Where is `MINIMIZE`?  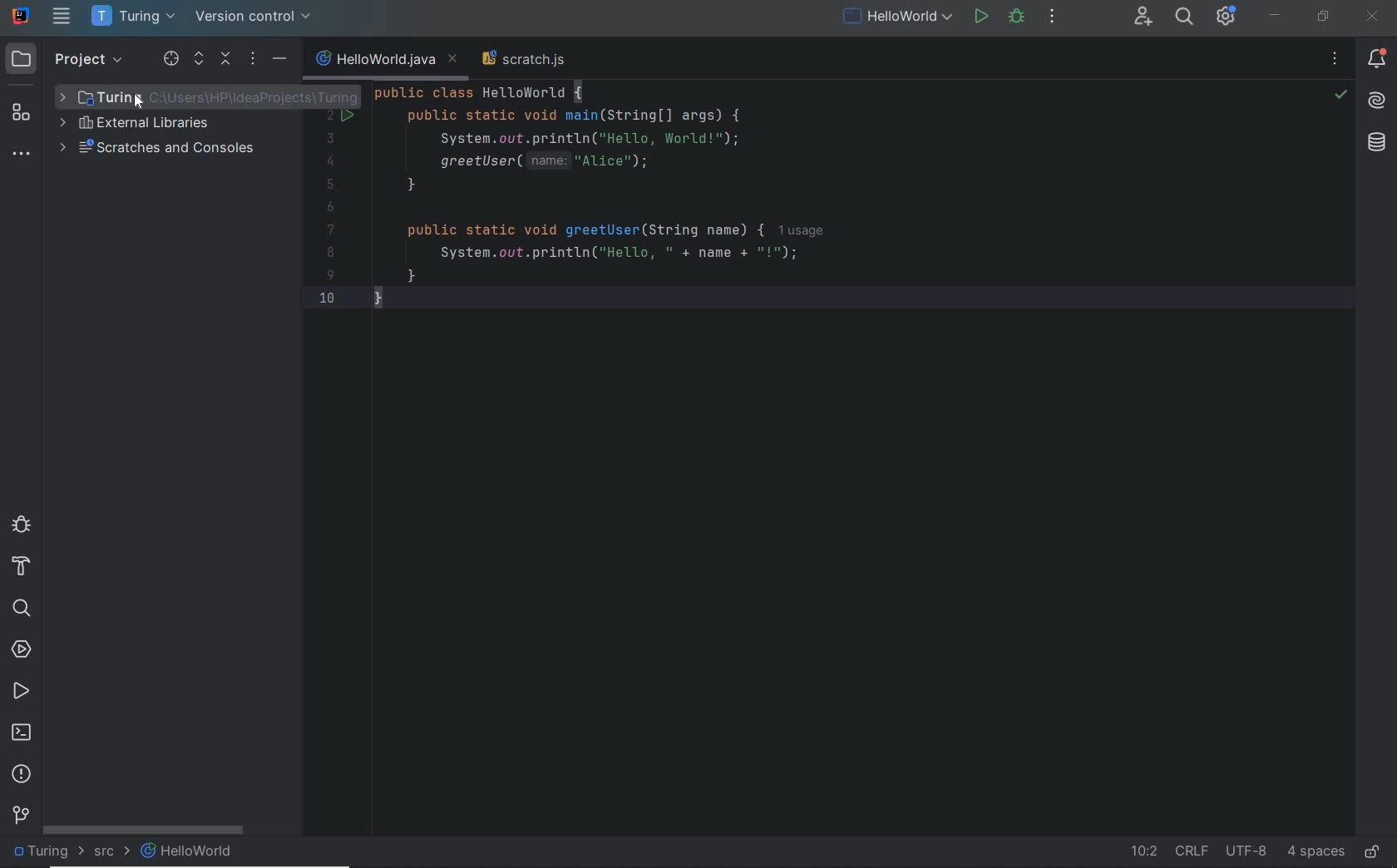
MINIMIZE is located at coordinates (1276, 16).